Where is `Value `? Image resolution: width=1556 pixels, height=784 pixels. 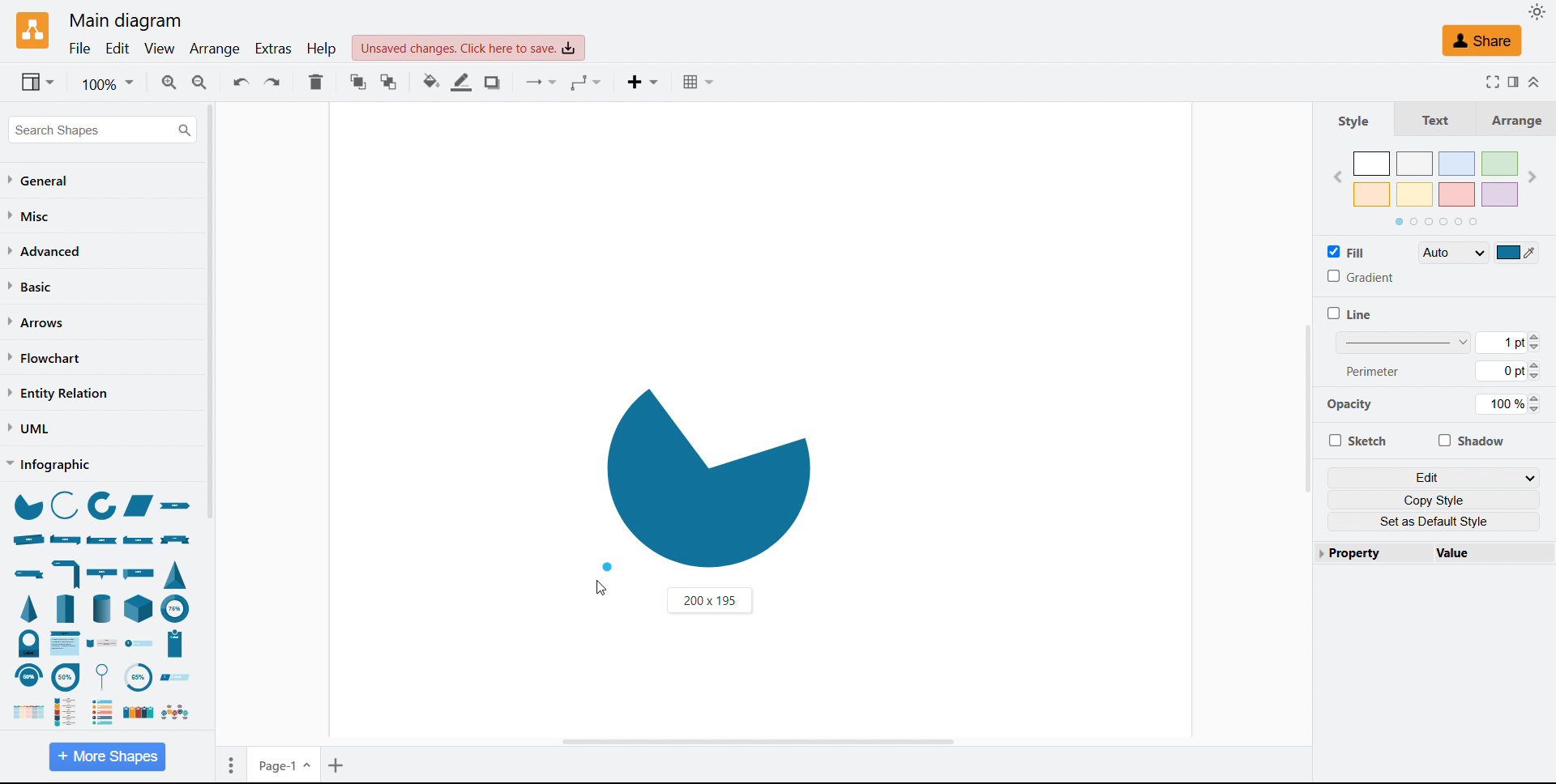
Value  is located at coordinates (1486, 552).